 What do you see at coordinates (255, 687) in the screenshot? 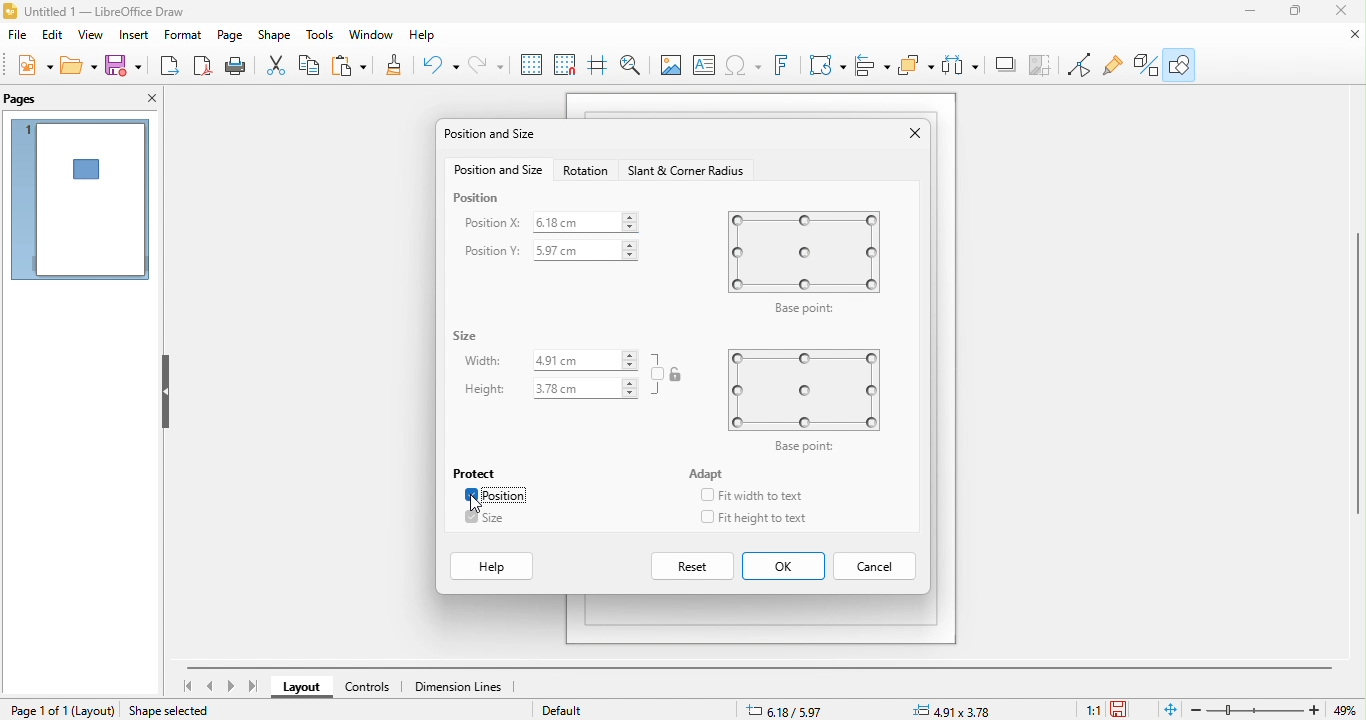
I see `last page` at bounding box center [255, 687].